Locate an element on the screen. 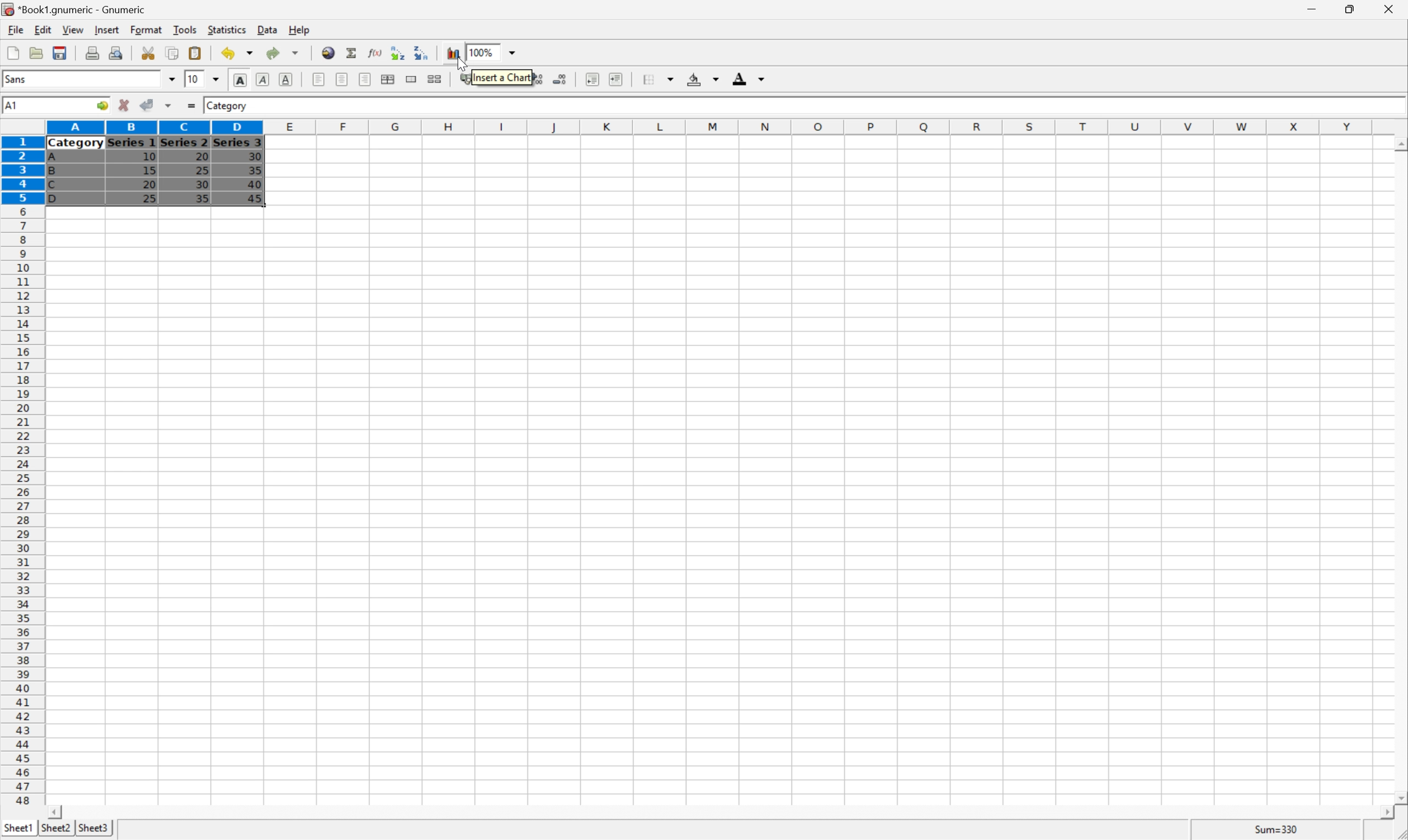  5R*4C is located at coordinates (24, 107).